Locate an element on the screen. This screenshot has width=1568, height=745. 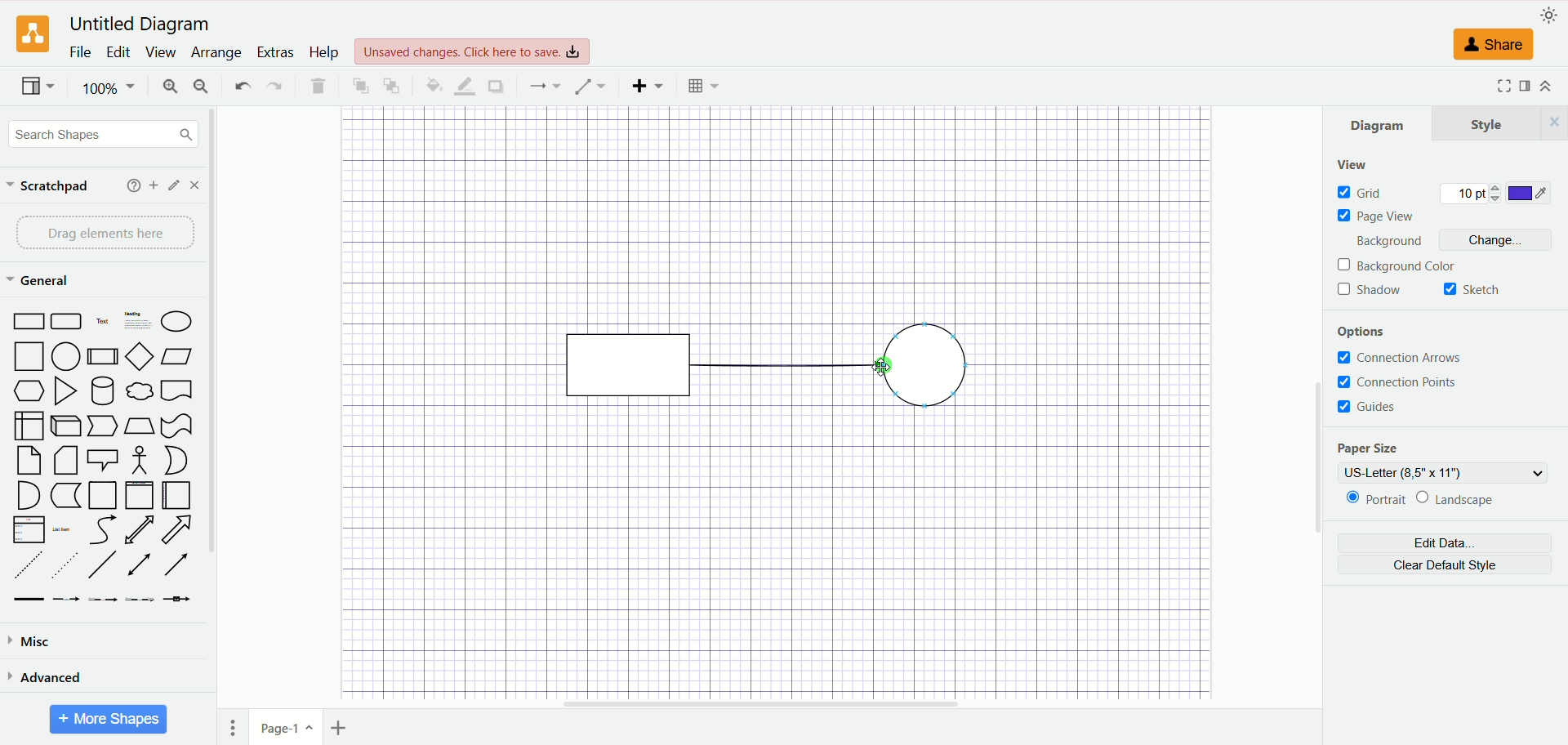
Connector with Icon Symbol is located at coordinates (180, 602).